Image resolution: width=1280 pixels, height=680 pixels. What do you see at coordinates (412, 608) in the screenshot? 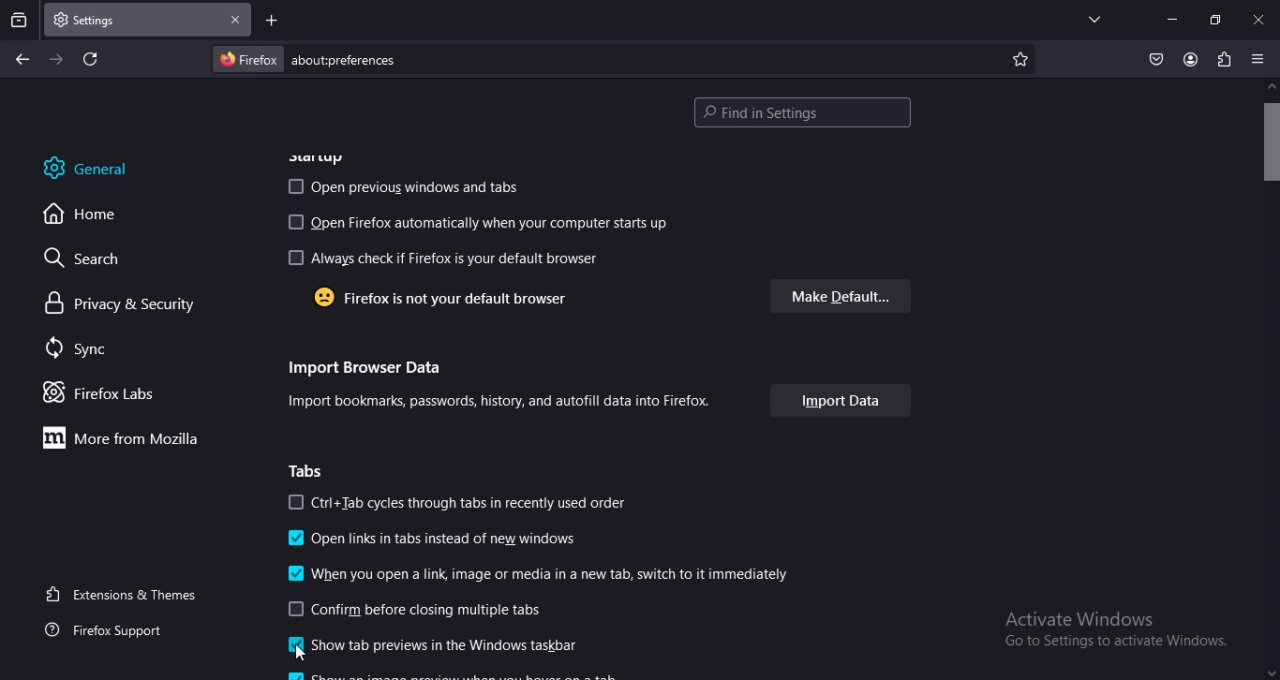
I see `confirm before closing multile tabs` at bounding box center [412, 608].